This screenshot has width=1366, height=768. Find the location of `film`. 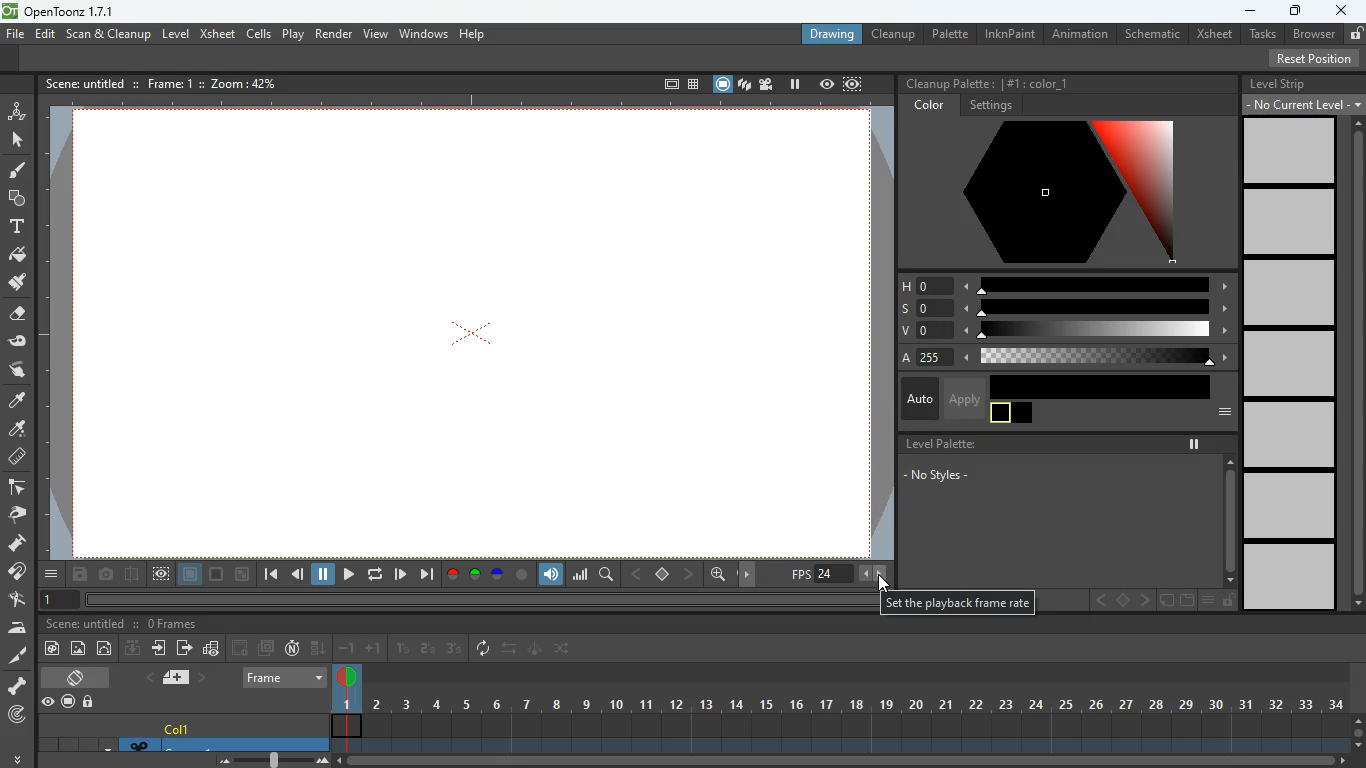

film is located at coordinates (766, 84).